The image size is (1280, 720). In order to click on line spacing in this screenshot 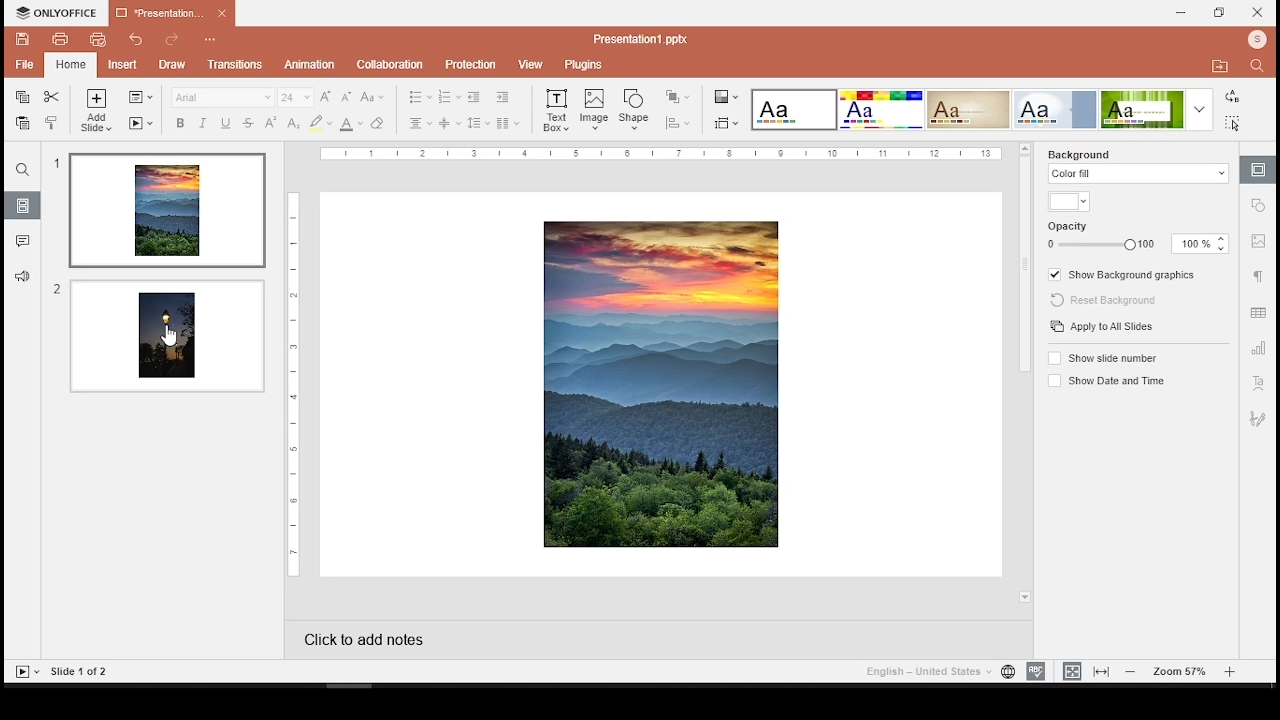, I will do `click(479, 124)`.